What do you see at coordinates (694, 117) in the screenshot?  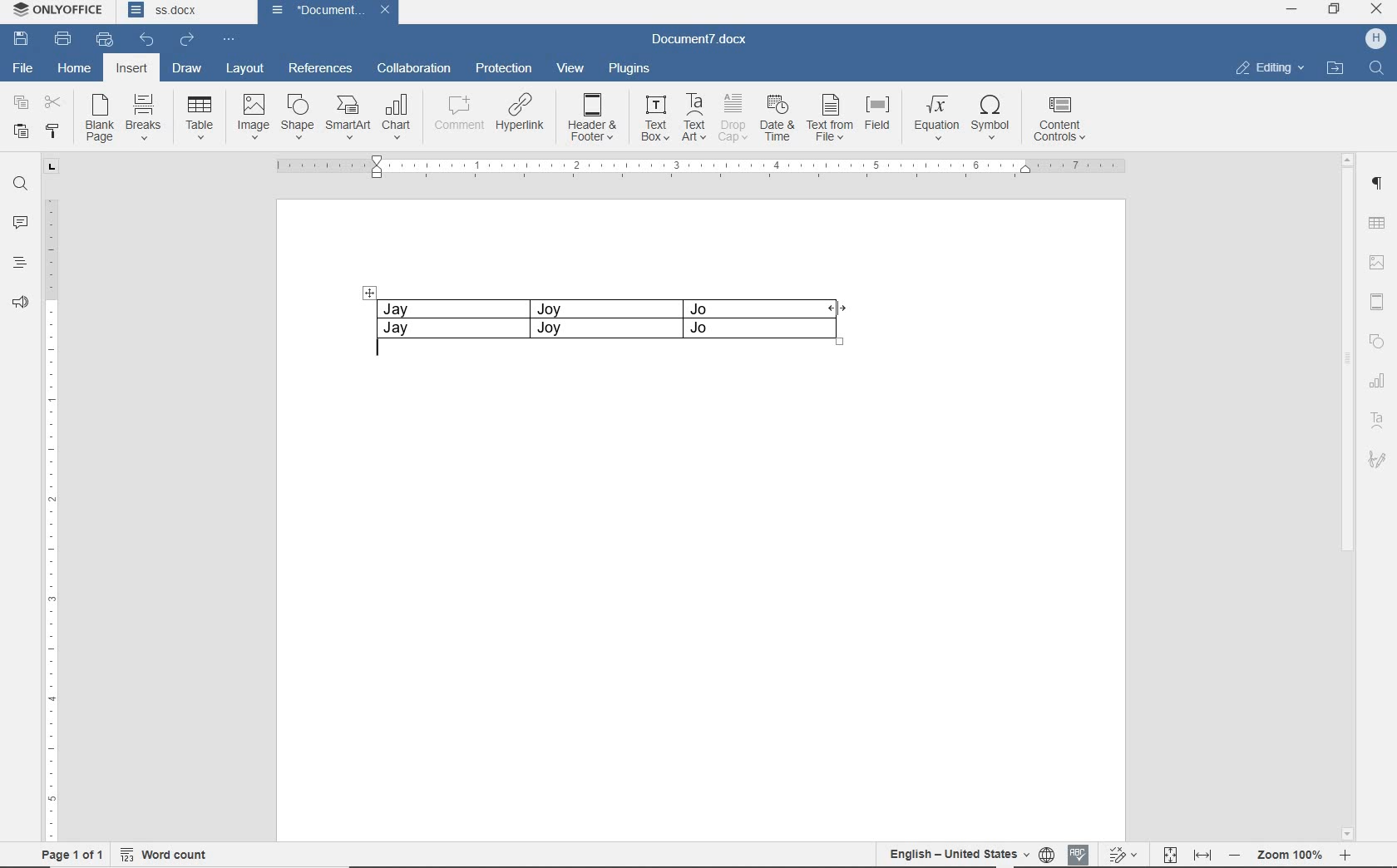 I see `TEXT ART` at bounding box center [694, 117].